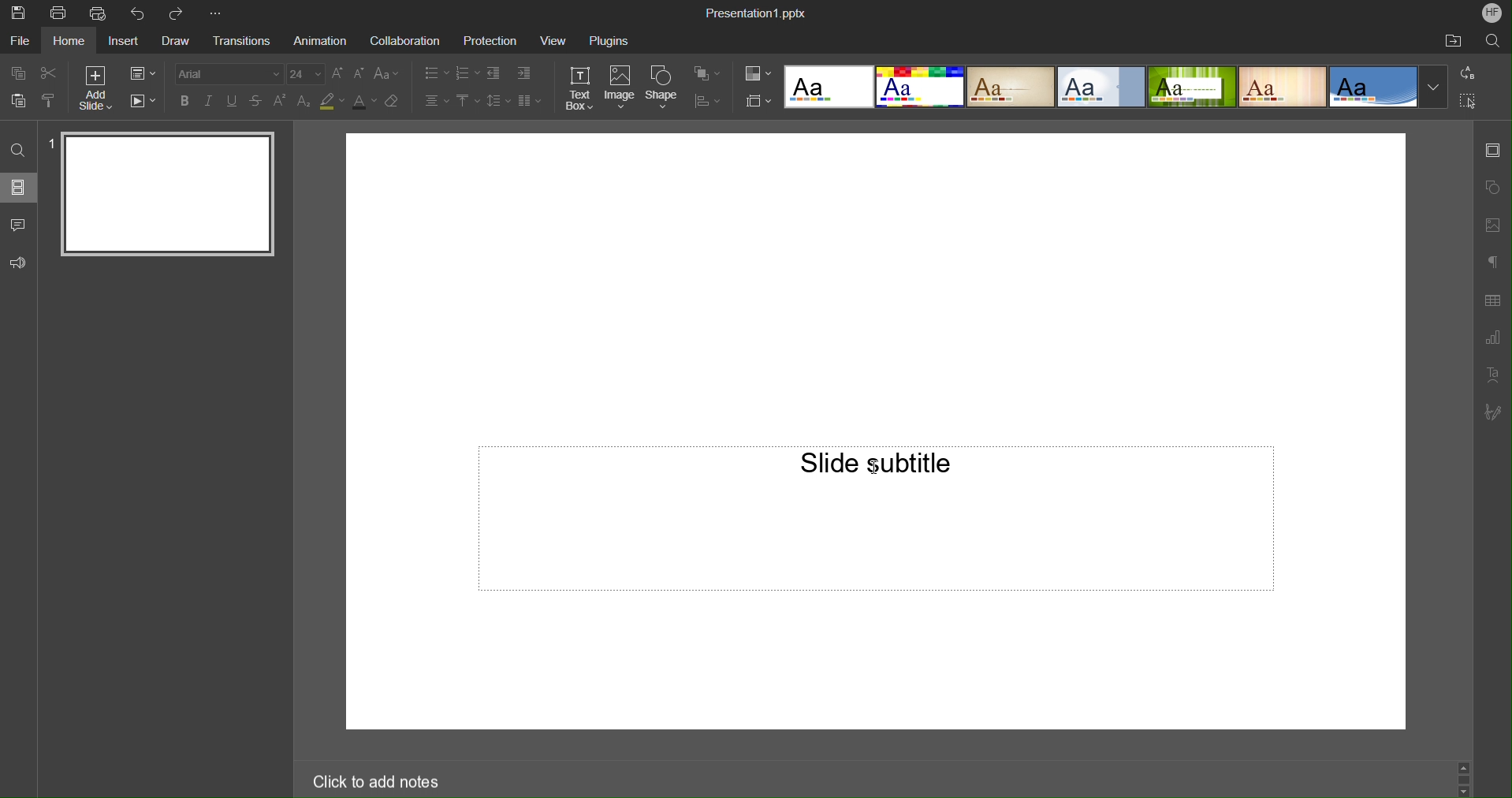  I want to click on Copy, so click(16, 73).